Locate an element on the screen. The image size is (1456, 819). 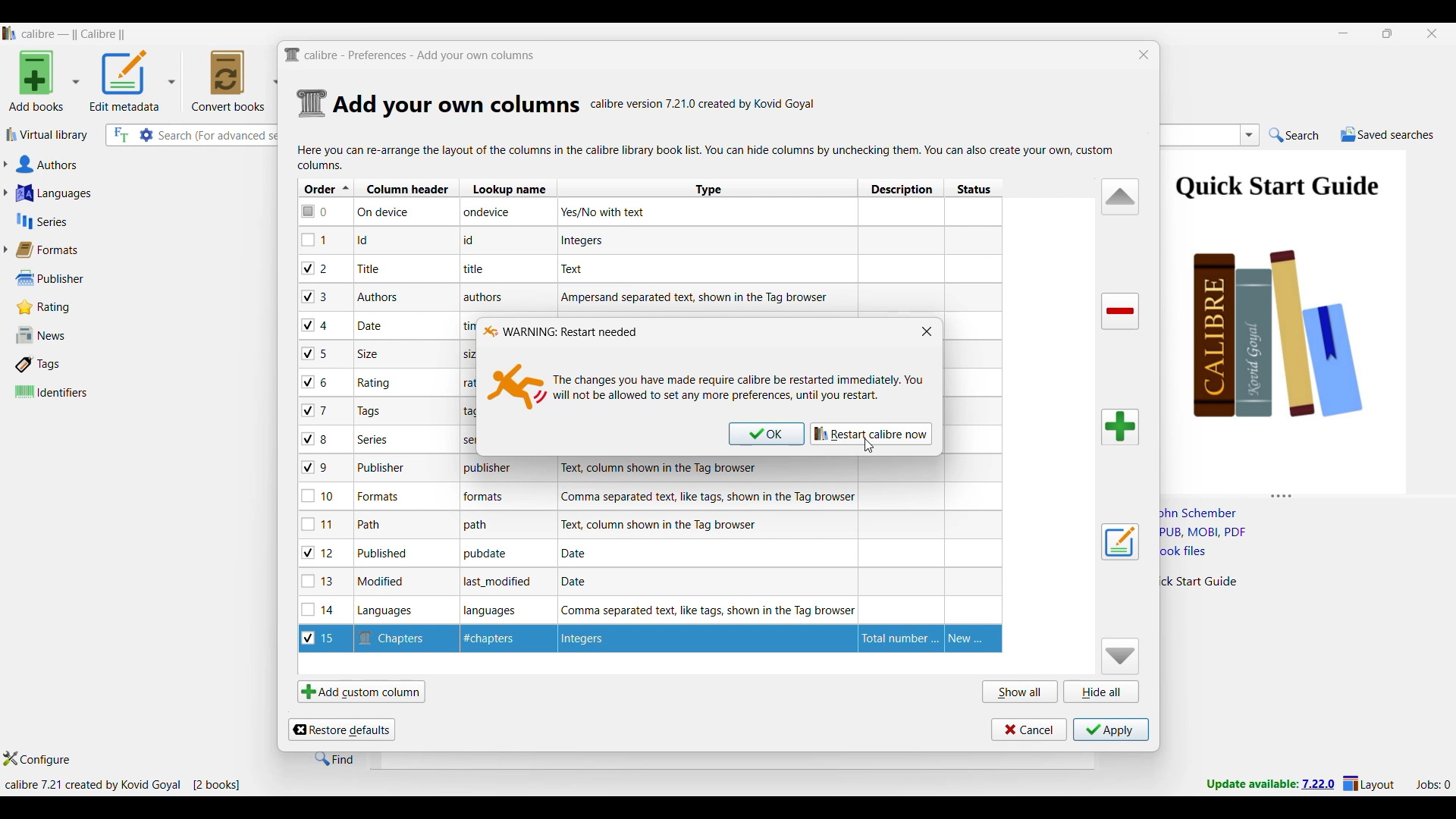
checkbox - 10 is located at coordinates (321, 497).